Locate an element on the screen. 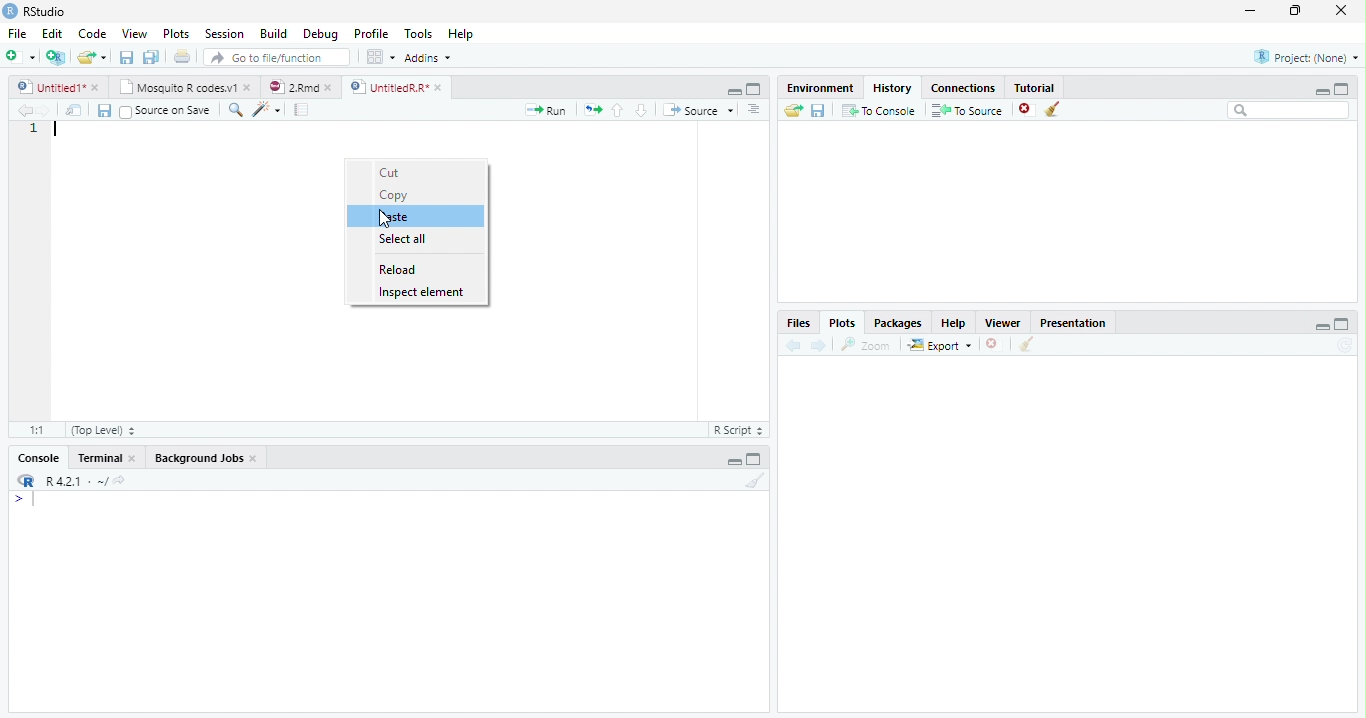 This screenshot has height=718, width=1366. Open Folder is located at coordinates (93, 55).